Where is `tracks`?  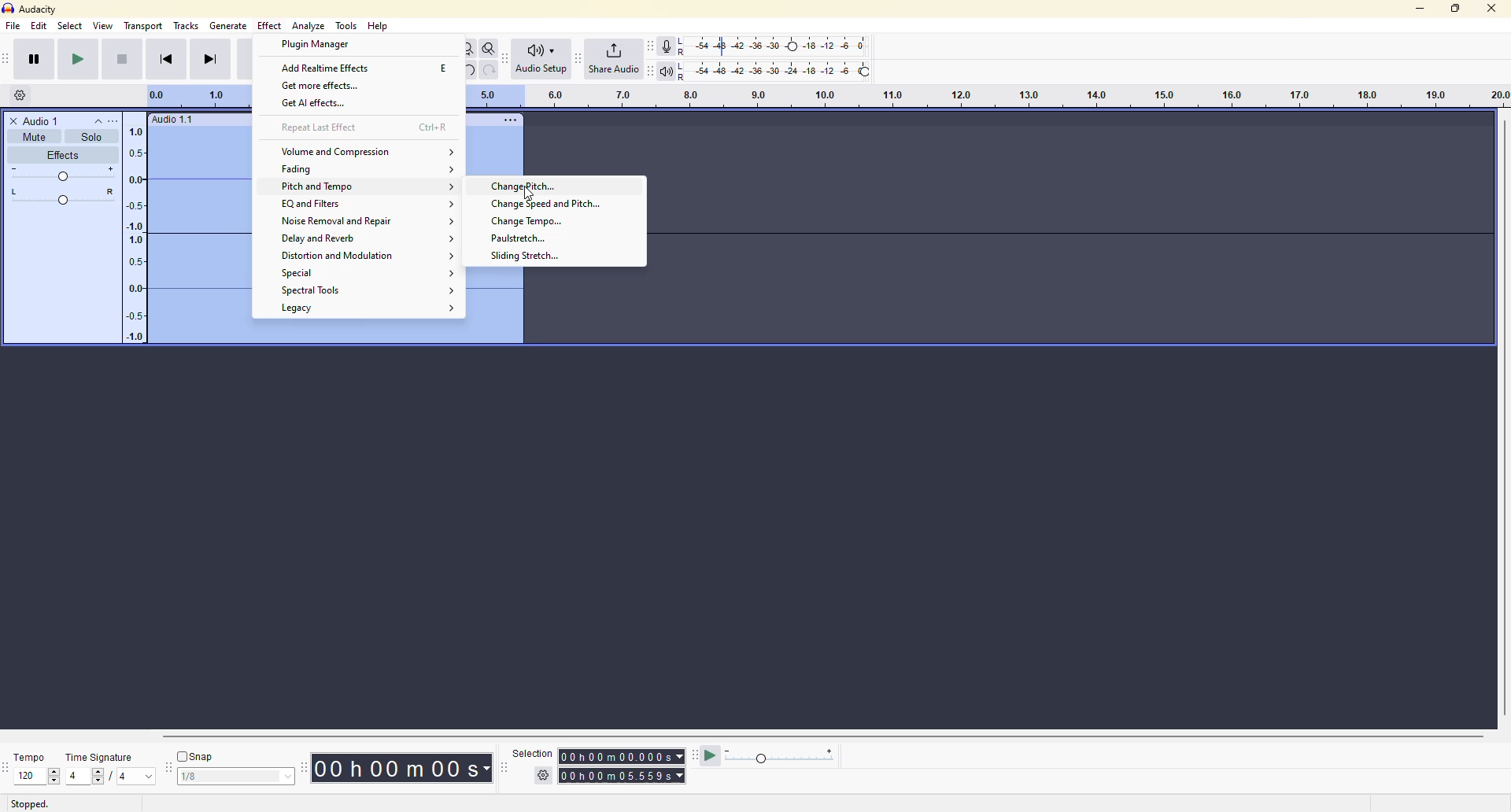 tracks is located at coordinates (187, 27).